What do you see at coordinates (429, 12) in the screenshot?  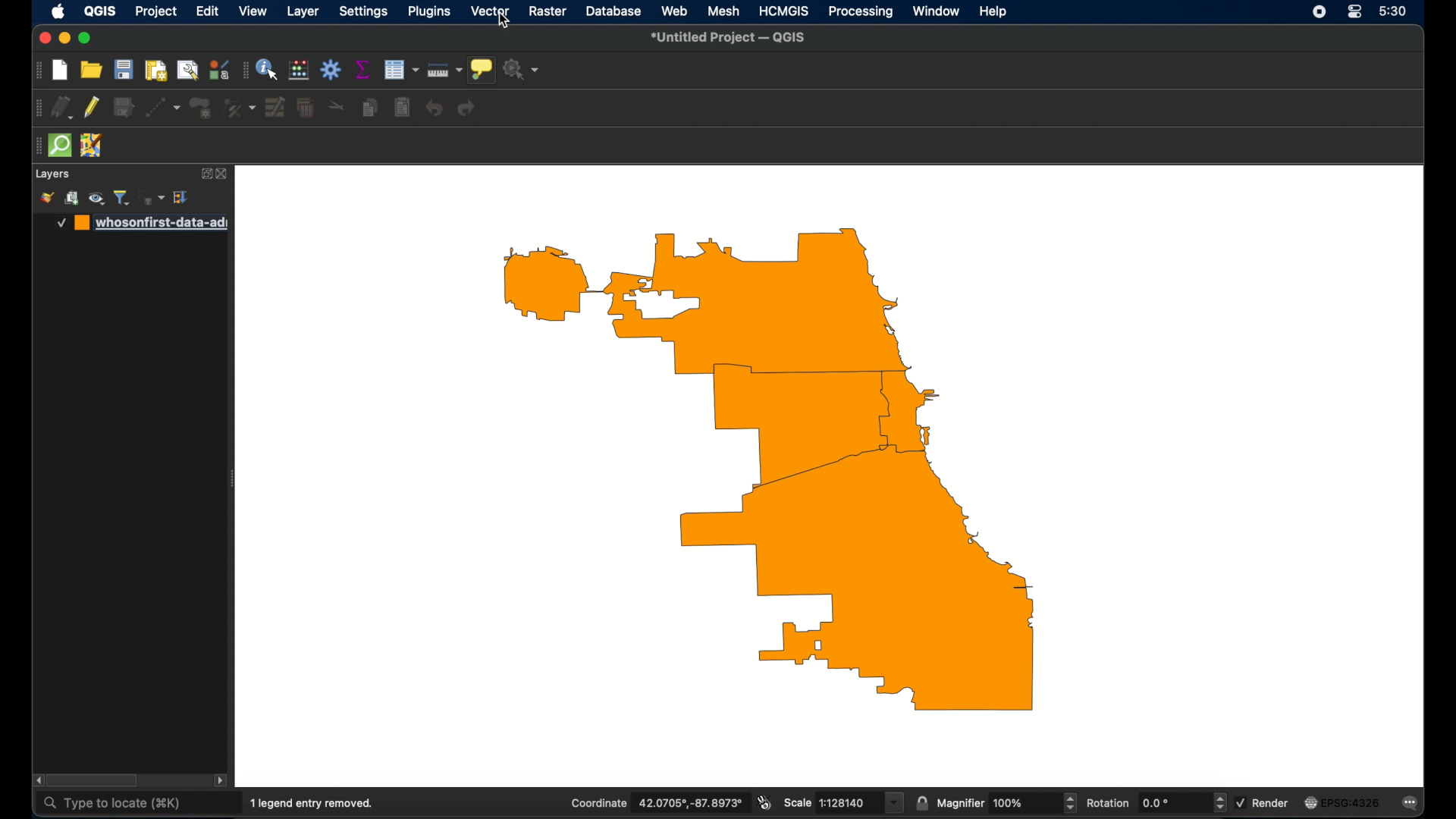 I see `plugins` at bounding box center [429, 12].